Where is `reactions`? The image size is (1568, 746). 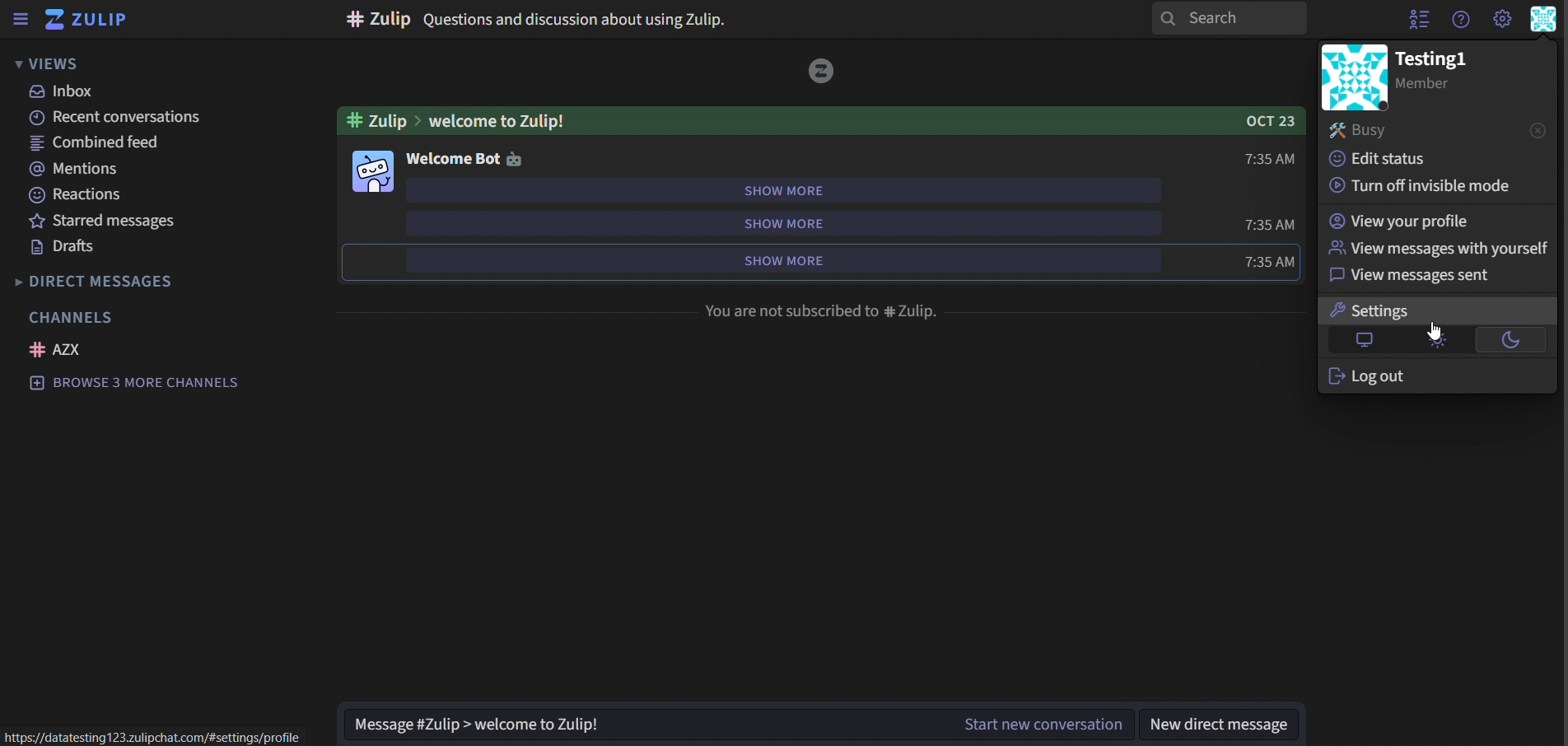
reactions is located at coordinates (82, 196).